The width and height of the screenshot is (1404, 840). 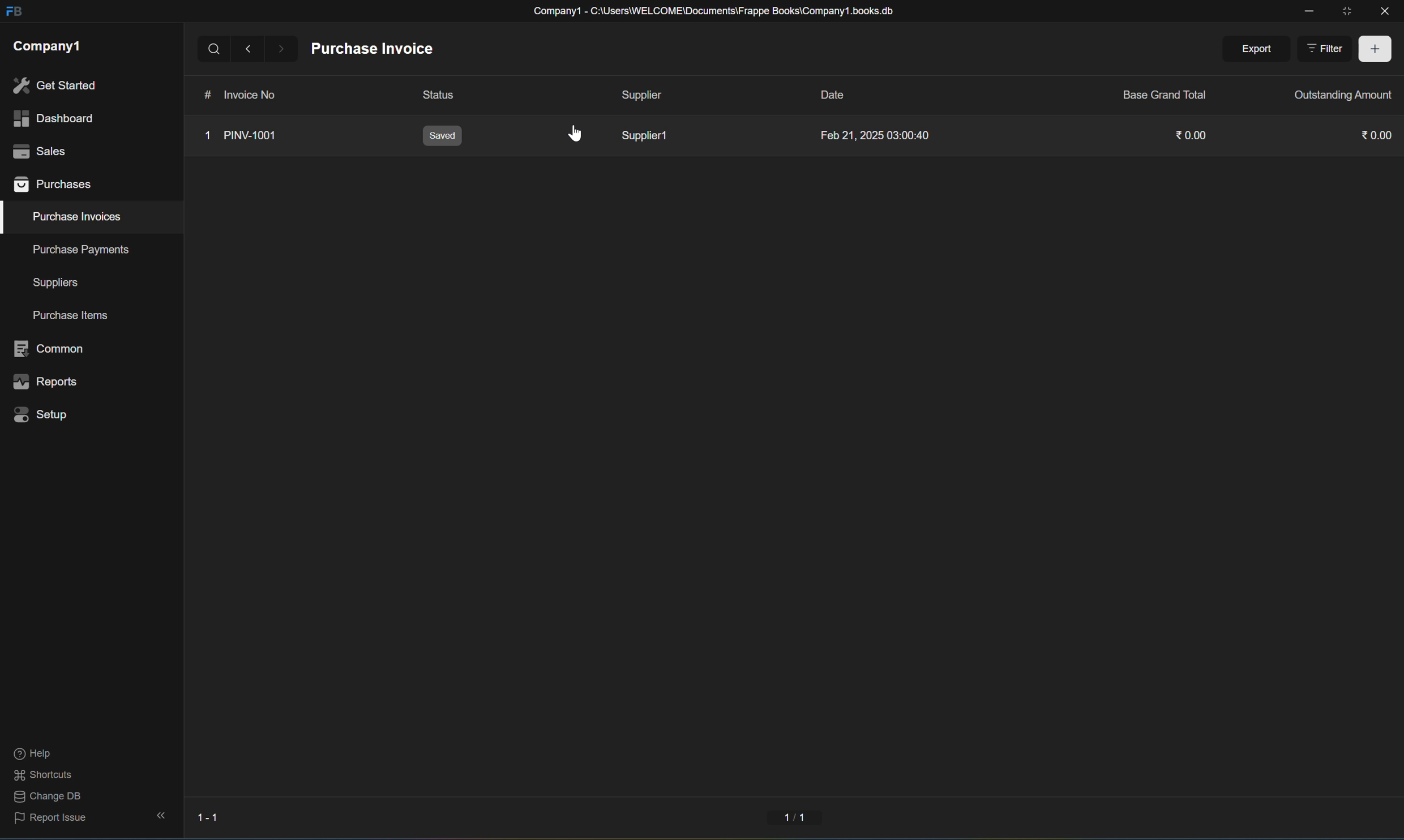 What do you see at coordinates (249, 49) in the screenshot?
I see `previous` at bounding box center [249, 49].